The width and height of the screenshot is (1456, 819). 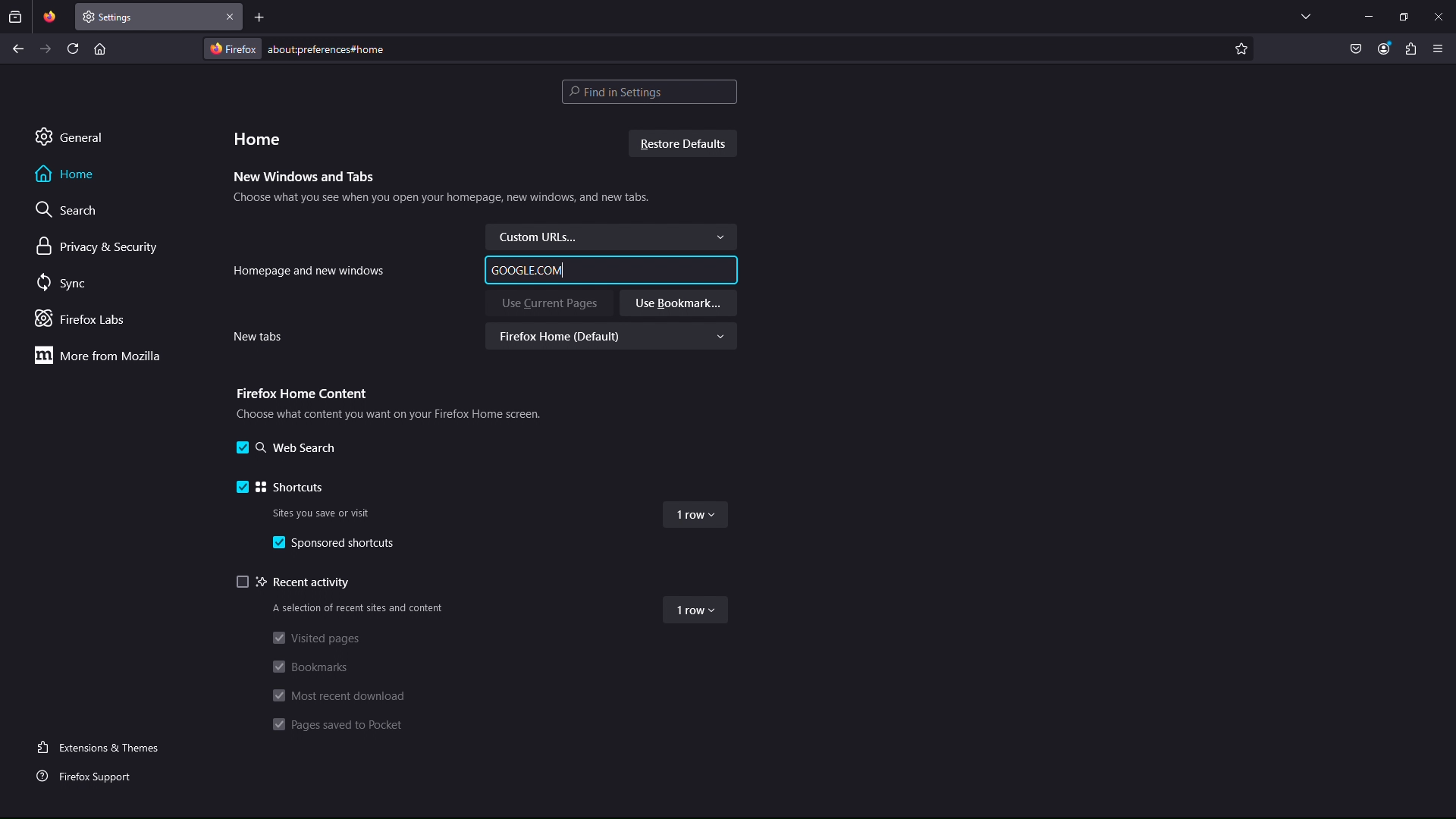 I want to click on Typing cursor, so click(x=563, y=270).